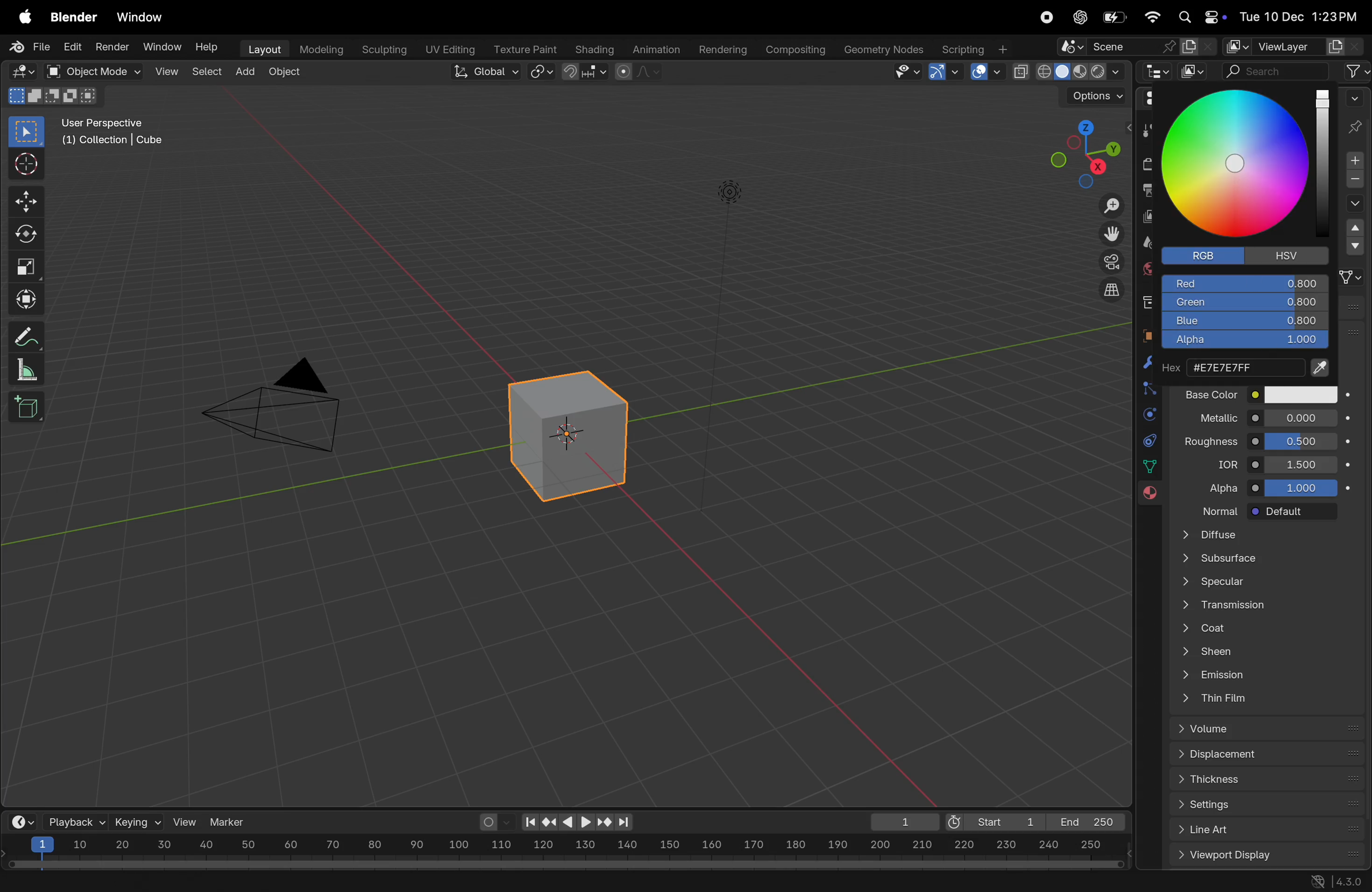 This screenshot has width=1372, height=892. What do you see at coordinates (1272, 729) in the screenshot?
I see `volume` at bounding box center [1272, 729].